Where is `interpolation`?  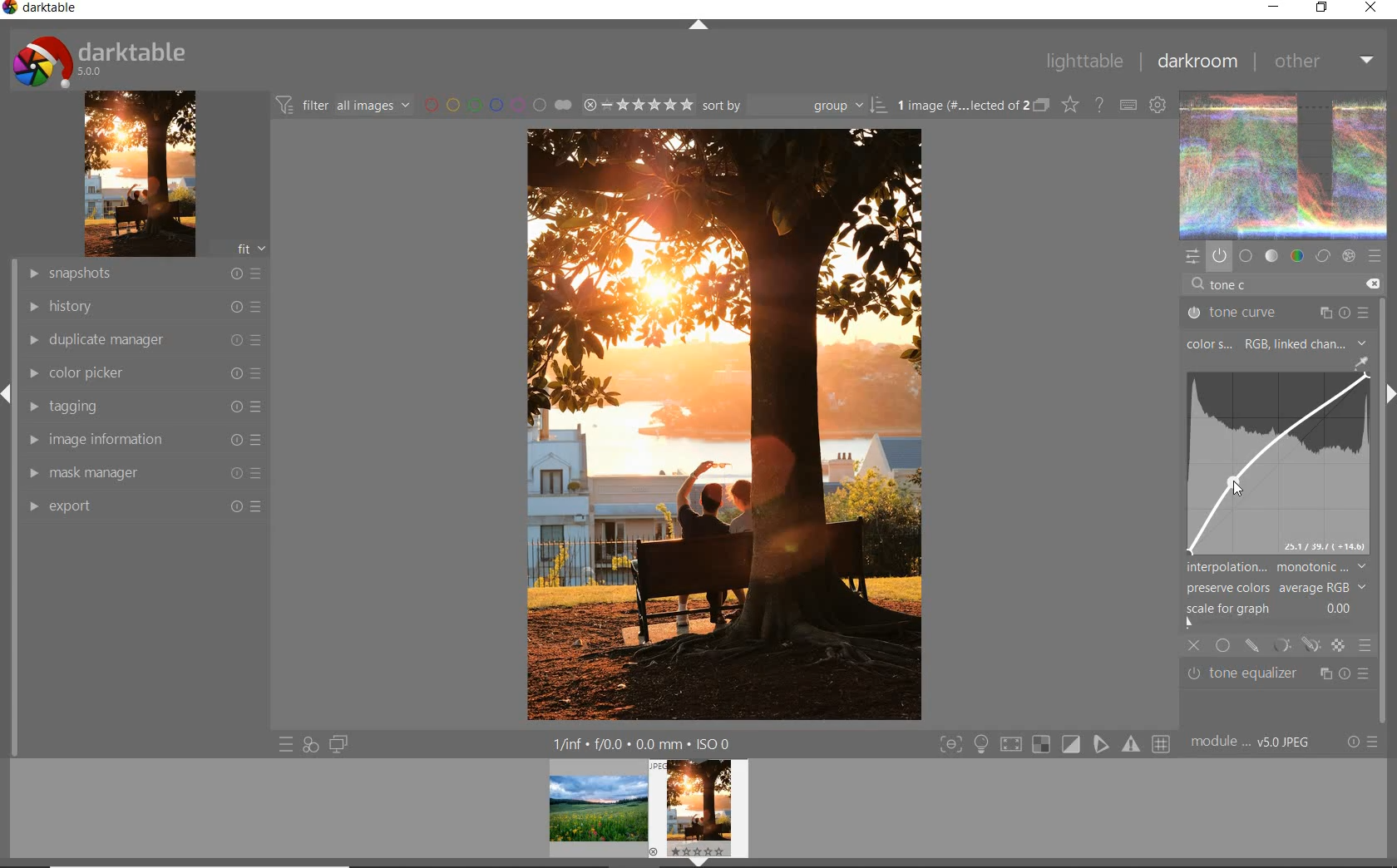 interpolation is located at coordinates (1276, 567).